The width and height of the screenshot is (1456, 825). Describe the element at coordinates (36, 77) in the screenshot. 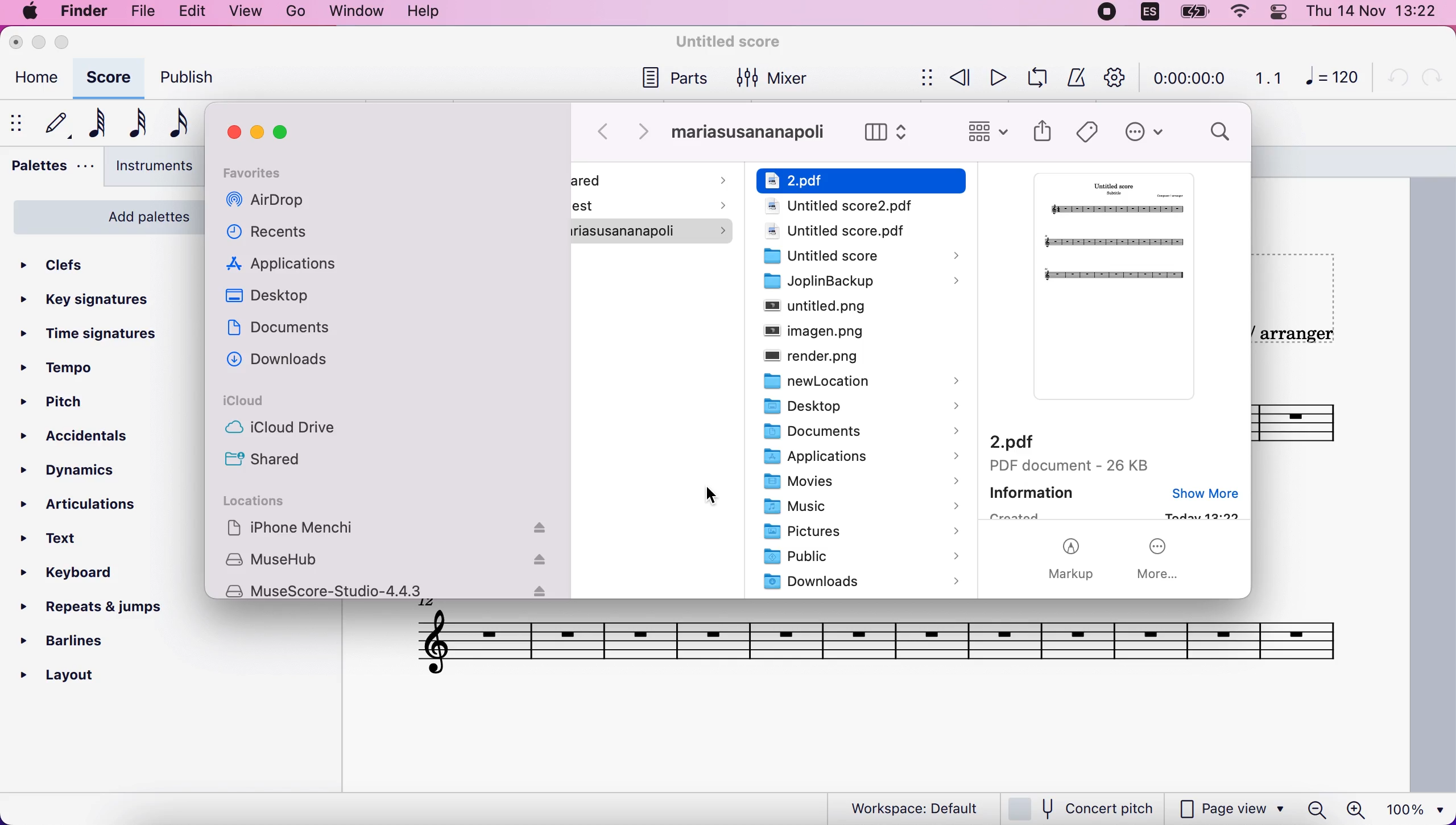

I see `home` at that location.